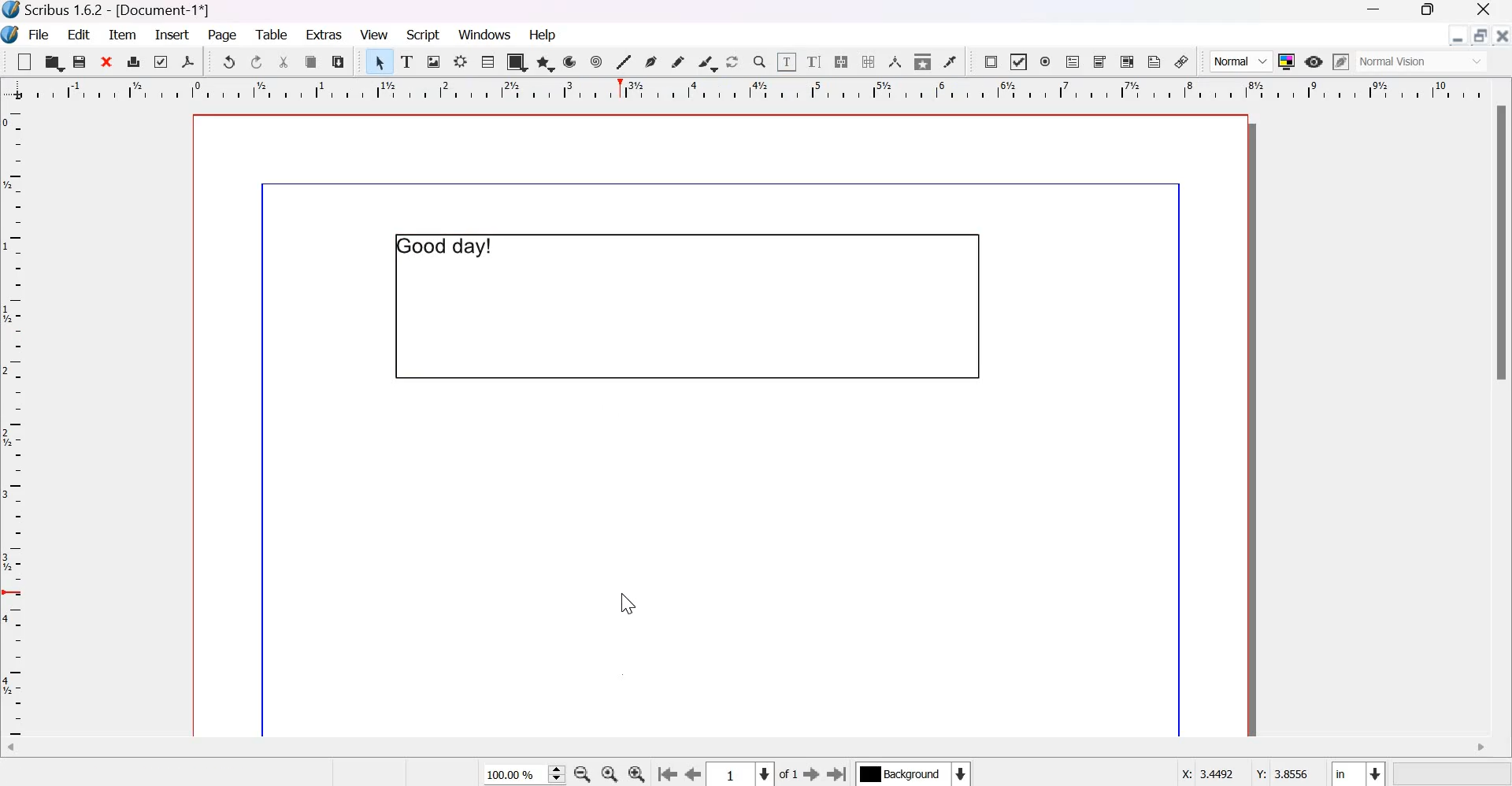 The image size is (1512, 786). What do you see at coordinates (487, 61) in the screenshot?
I see `Table` at bounding box center [487, 61].